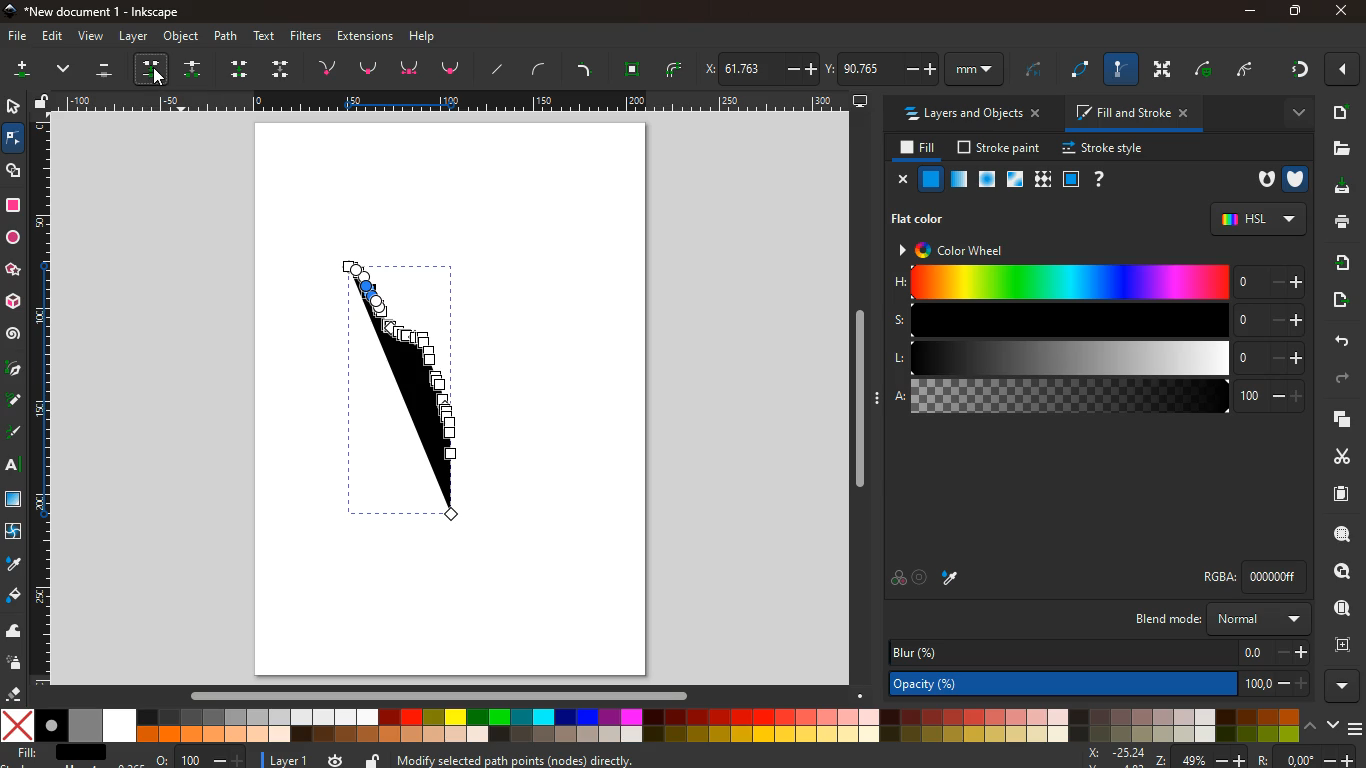 The width and height of the screenshot is (1366, 768). What do you see at coordinates (1340, 112) in the screenshot?
I see `add` at bounding box center [1340, 112].